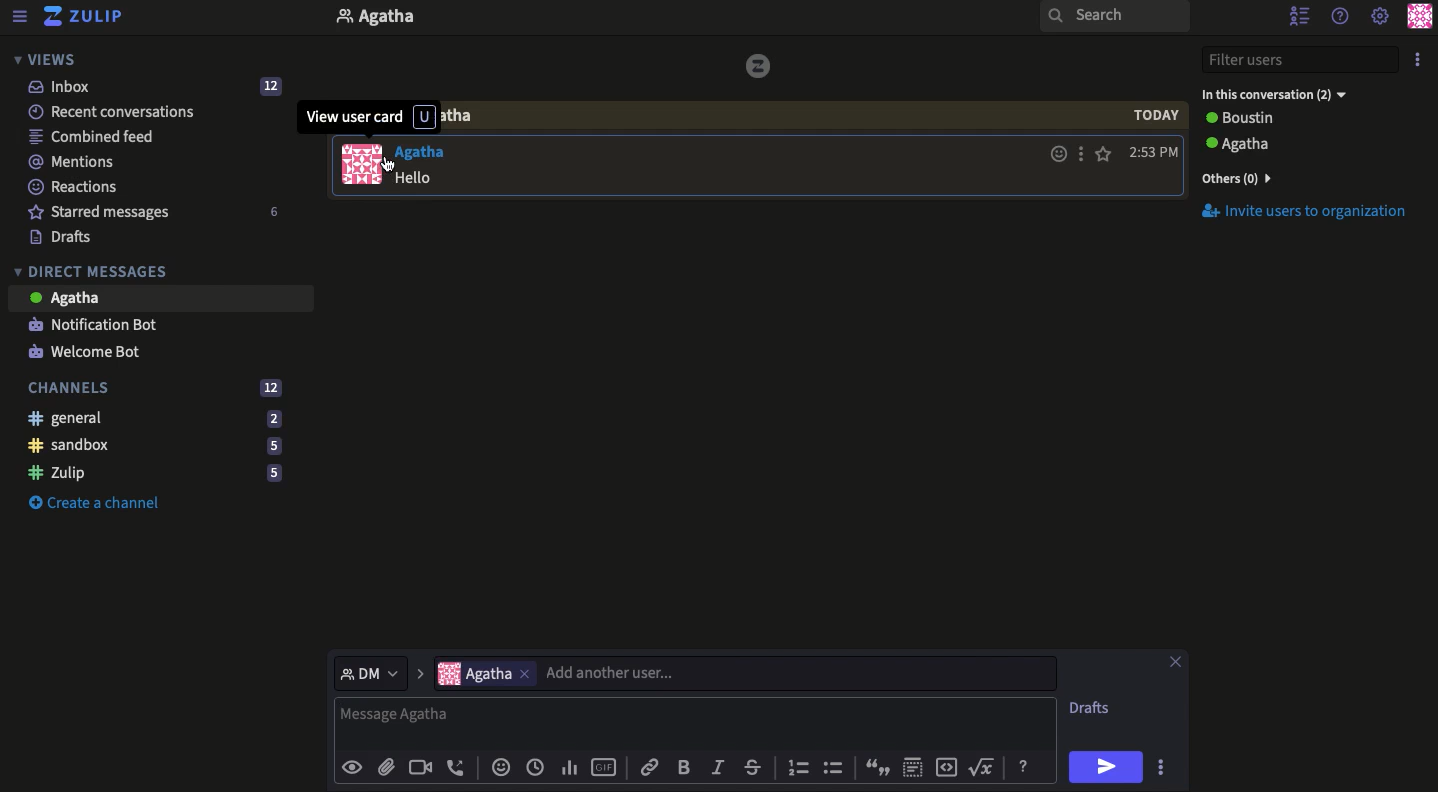 The image size is (1438, 792). What do you see at coordinates (158, 389) in the screenshot?
I see `Channels` at bounding box center [158, 389].